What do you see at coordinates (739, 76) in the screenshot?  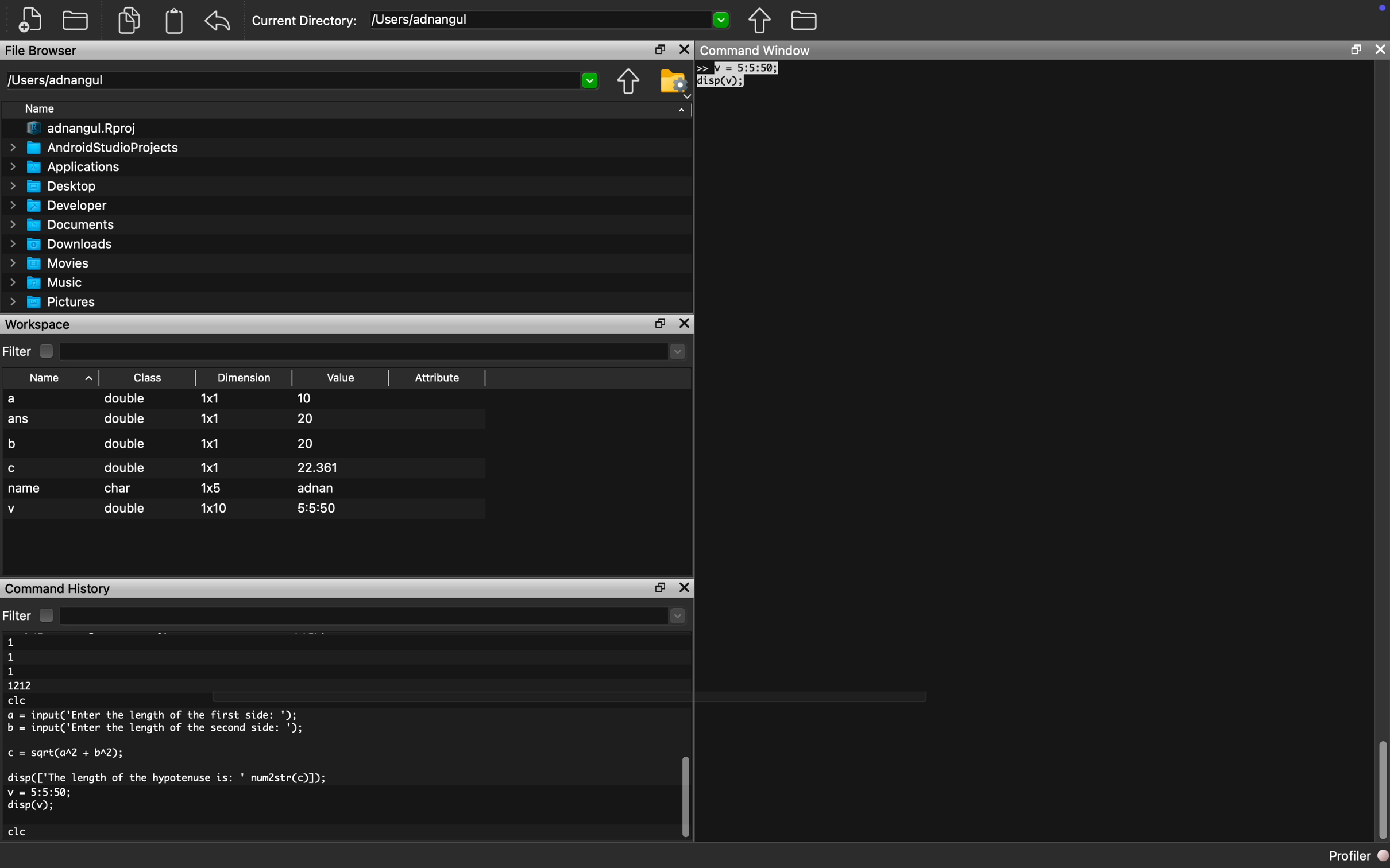 I see `>> v = 5:5:50;  disp(v);` at bounding box center [739, 76].